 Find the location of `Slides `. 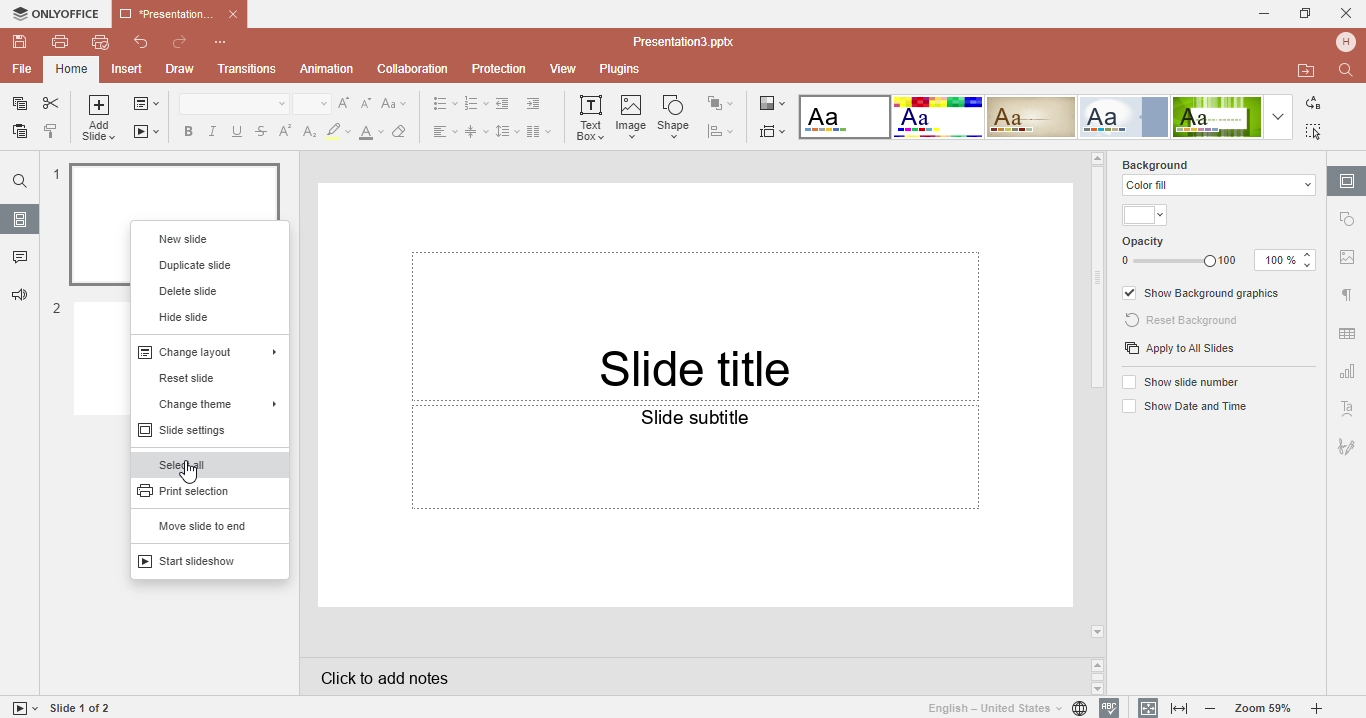

Slides  is located at coordinates (20, 219).